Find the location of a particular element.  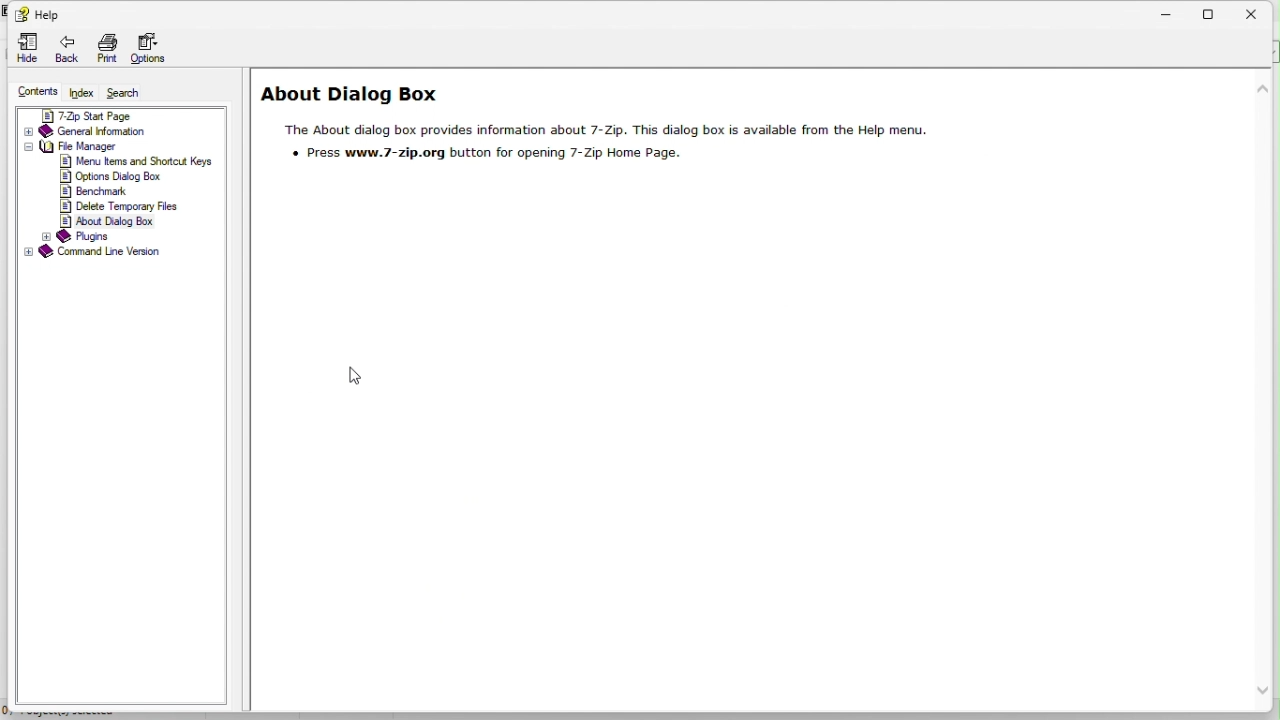

options is located at coordinates (113, 175).